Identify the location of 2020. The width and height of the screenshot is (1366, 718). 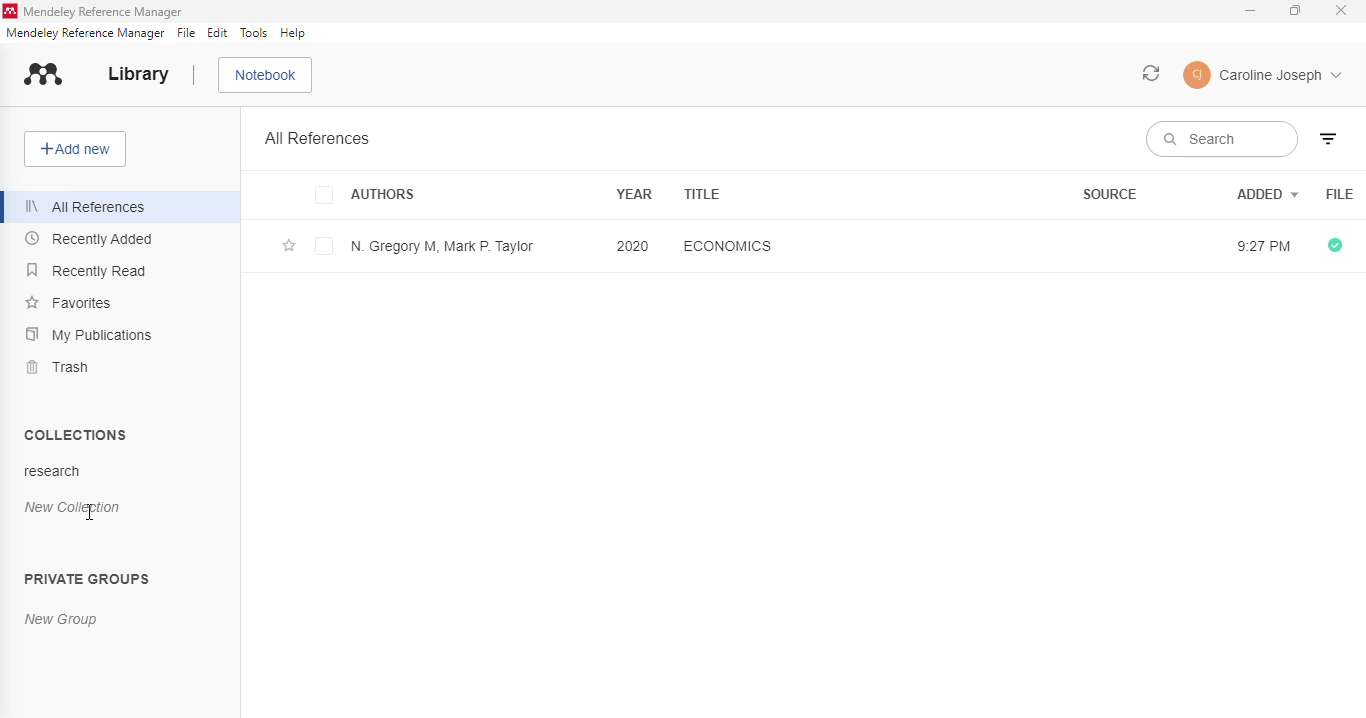
(633, 245).